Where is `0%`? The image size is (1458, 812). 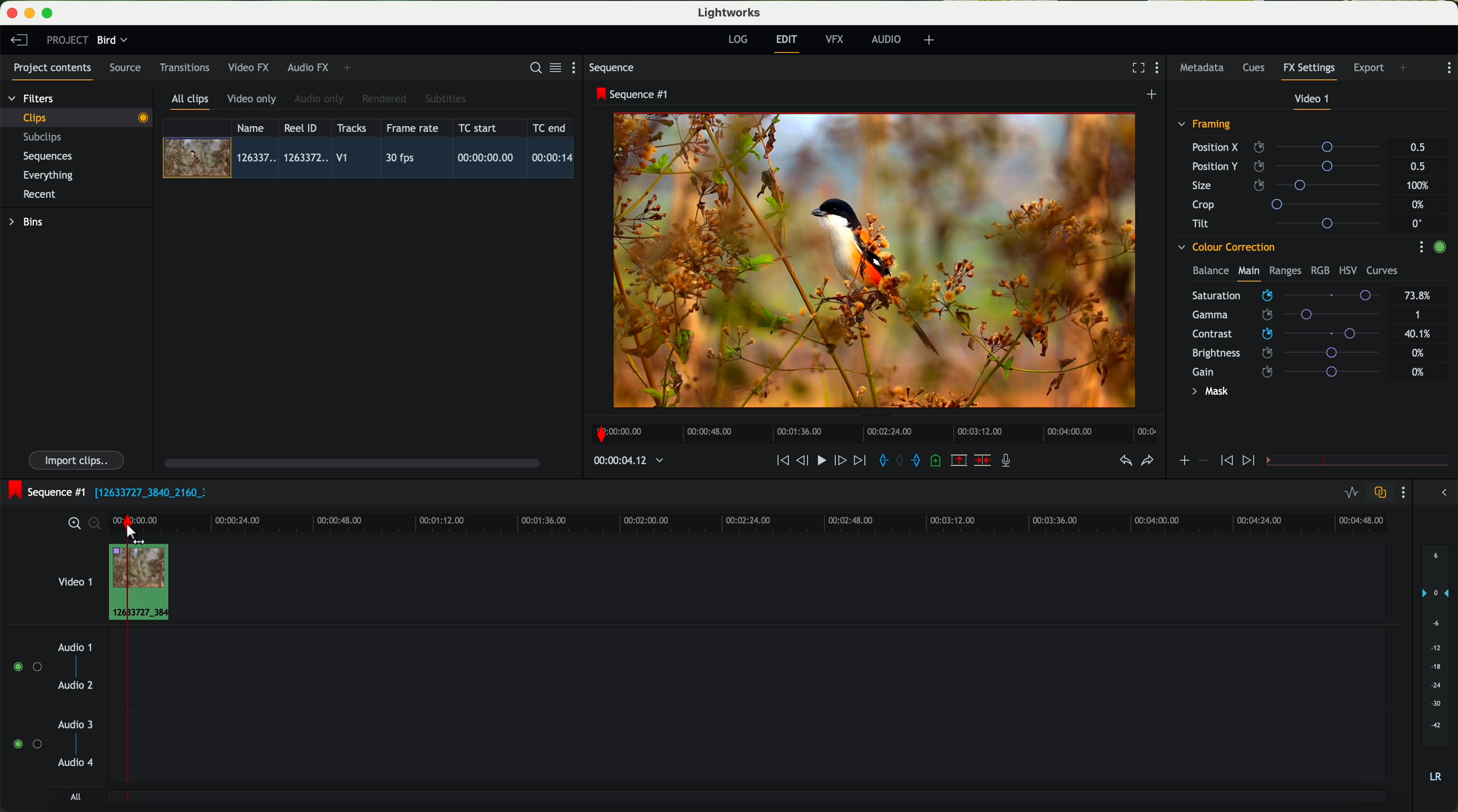
0% is located at coordinates (1418, 372).